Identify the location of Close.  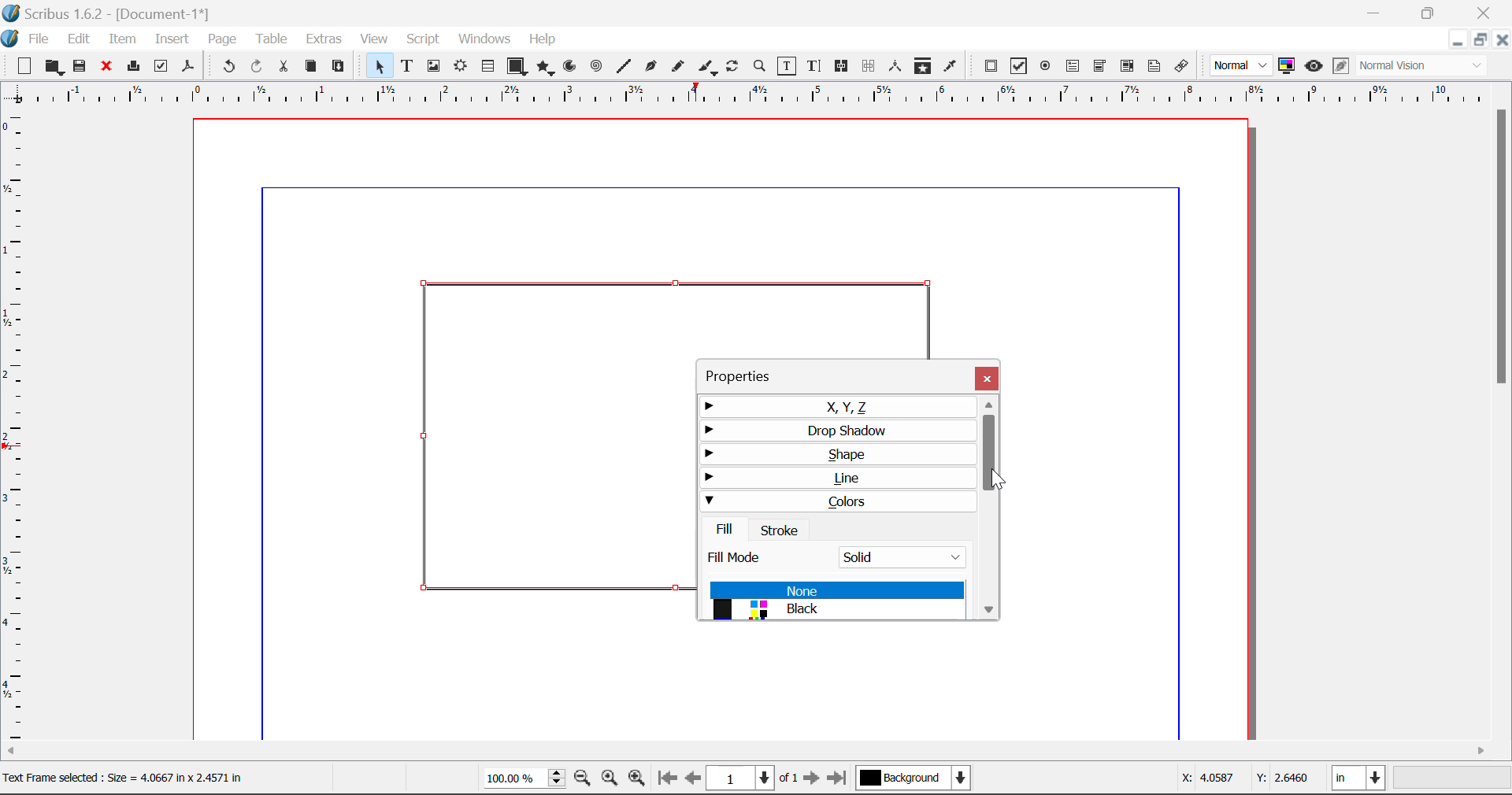
(1485, 13).